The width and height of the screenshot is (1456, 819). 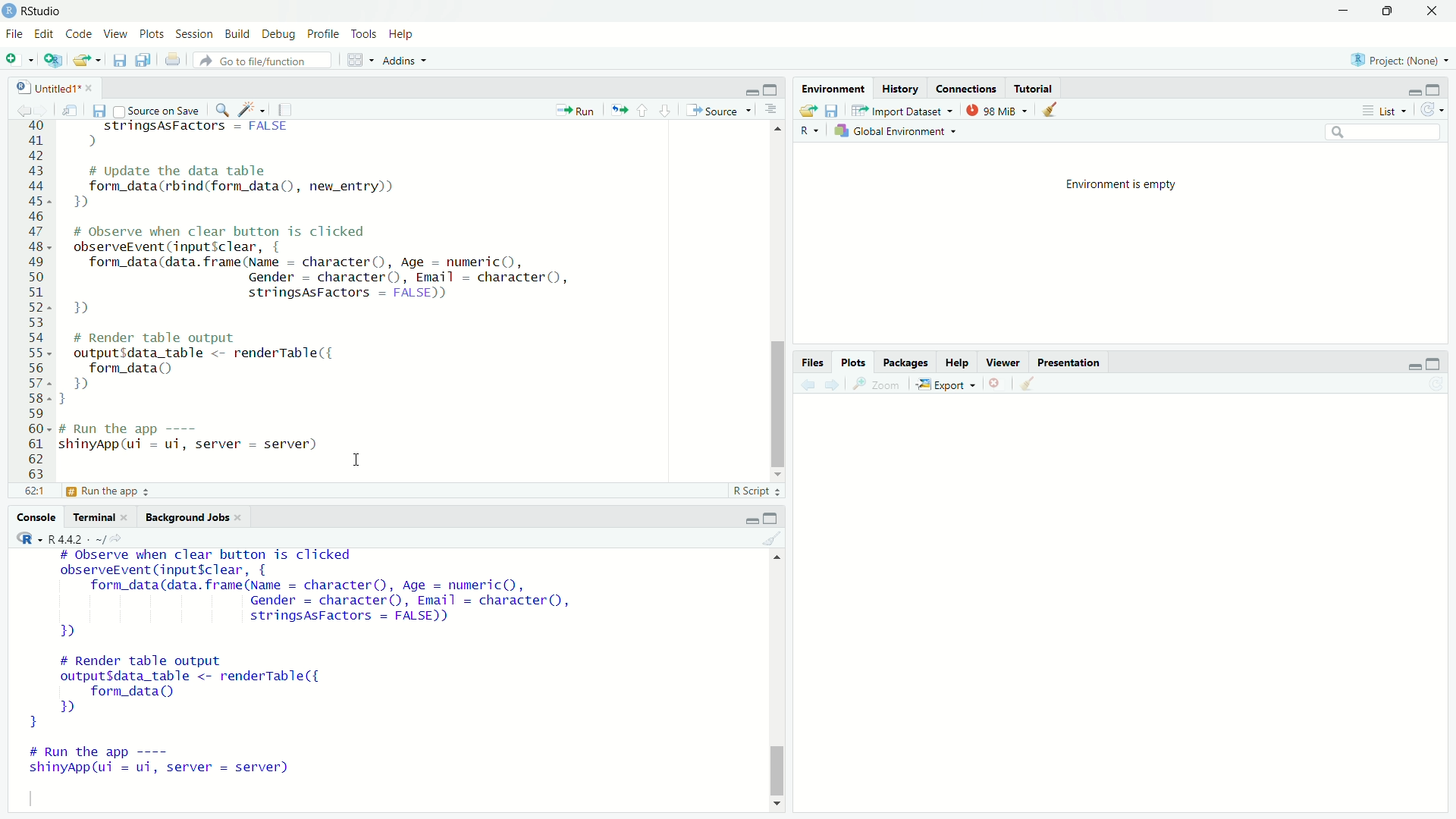 I want to click on move down, so click(x=776, y=804).